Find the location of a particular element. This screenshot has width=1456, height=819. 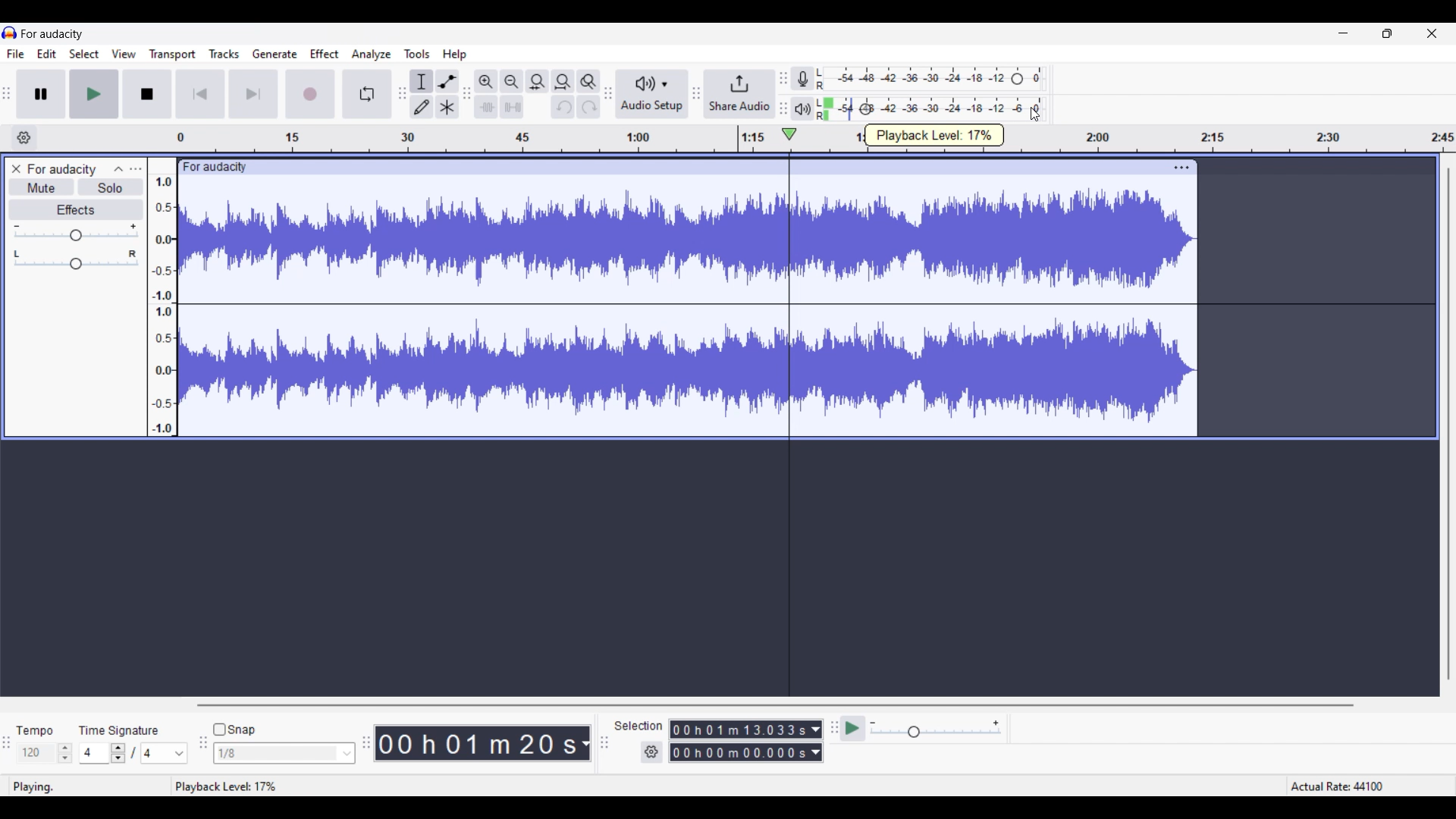

Help menu is located at coordinates (454, 55).